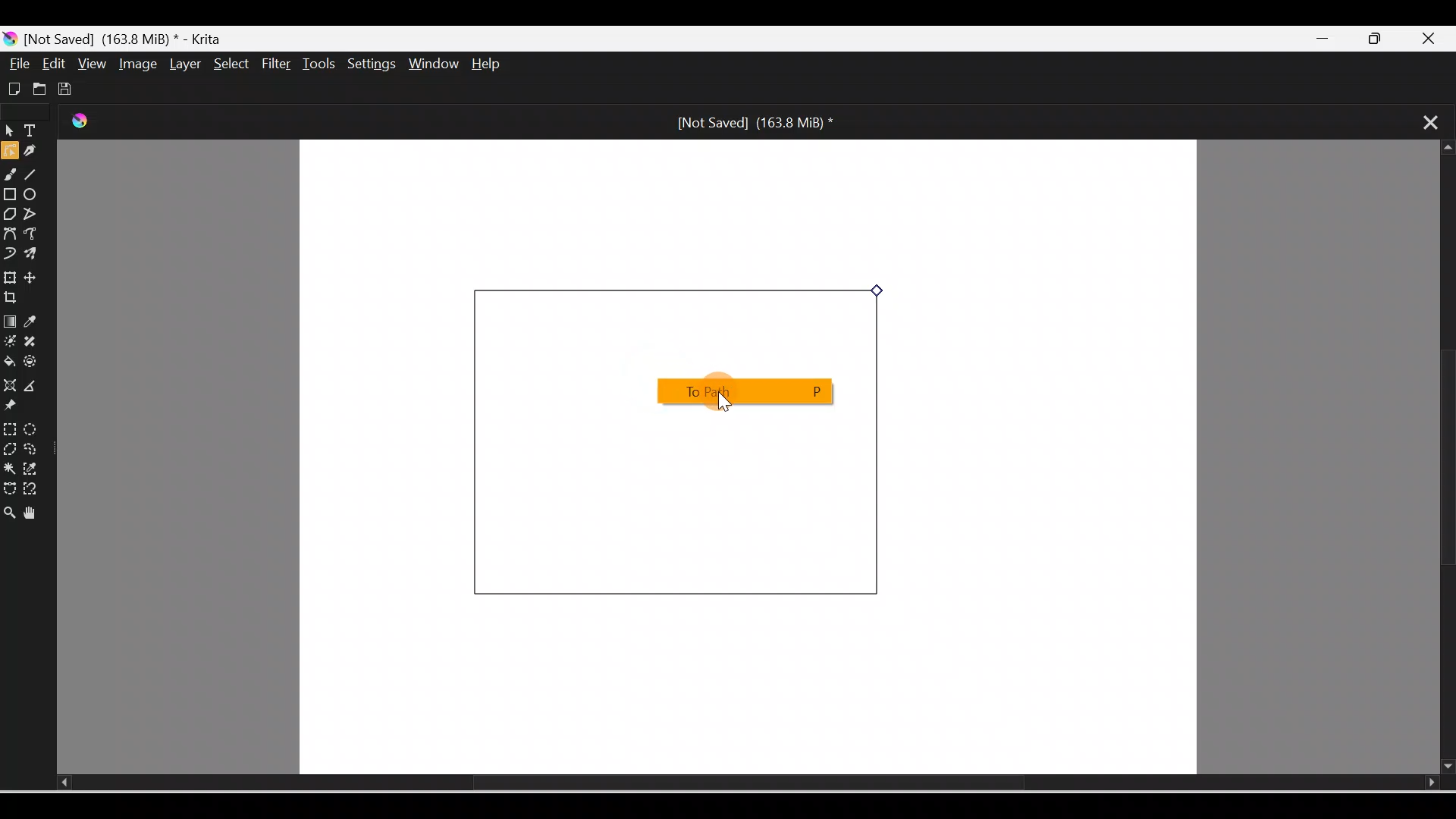 The image size is (1456, 819). I want to click on Multibrush tool, so click(33, 256).